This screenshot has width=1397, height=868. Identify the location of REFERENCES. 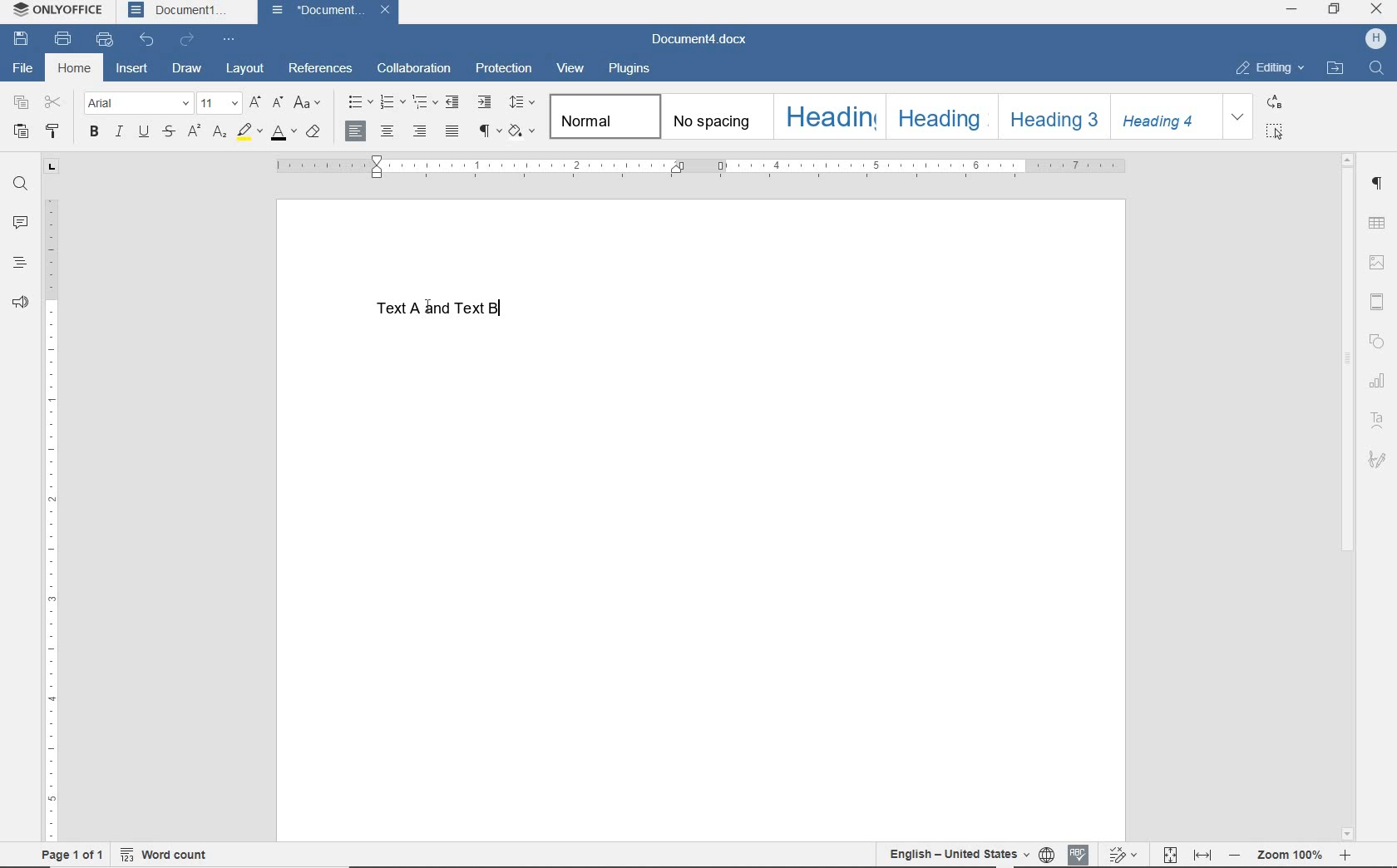
(321, 70).